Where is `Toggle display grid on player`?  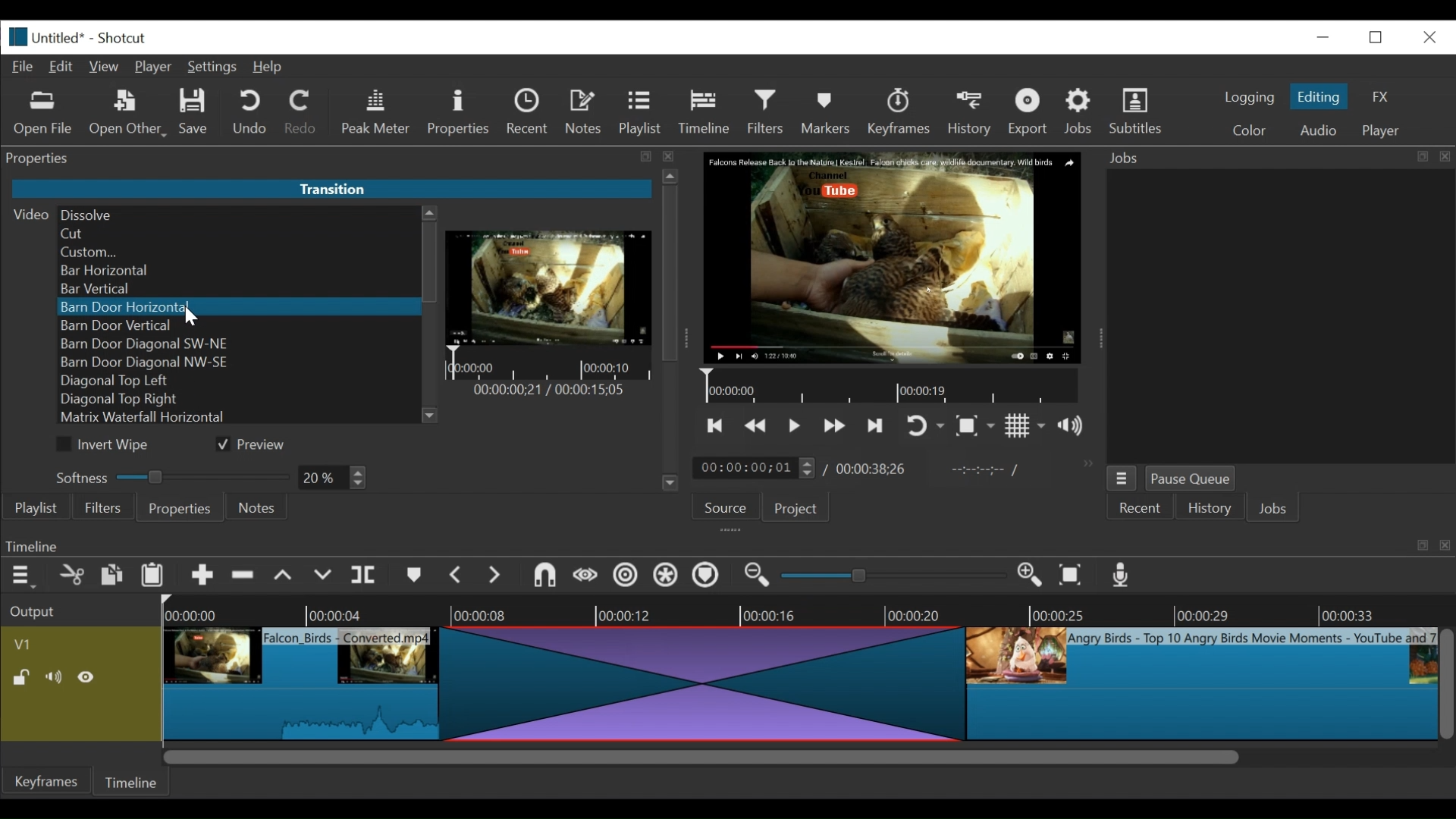 Toggle display grid on player is located at coordinates (1025, 425).